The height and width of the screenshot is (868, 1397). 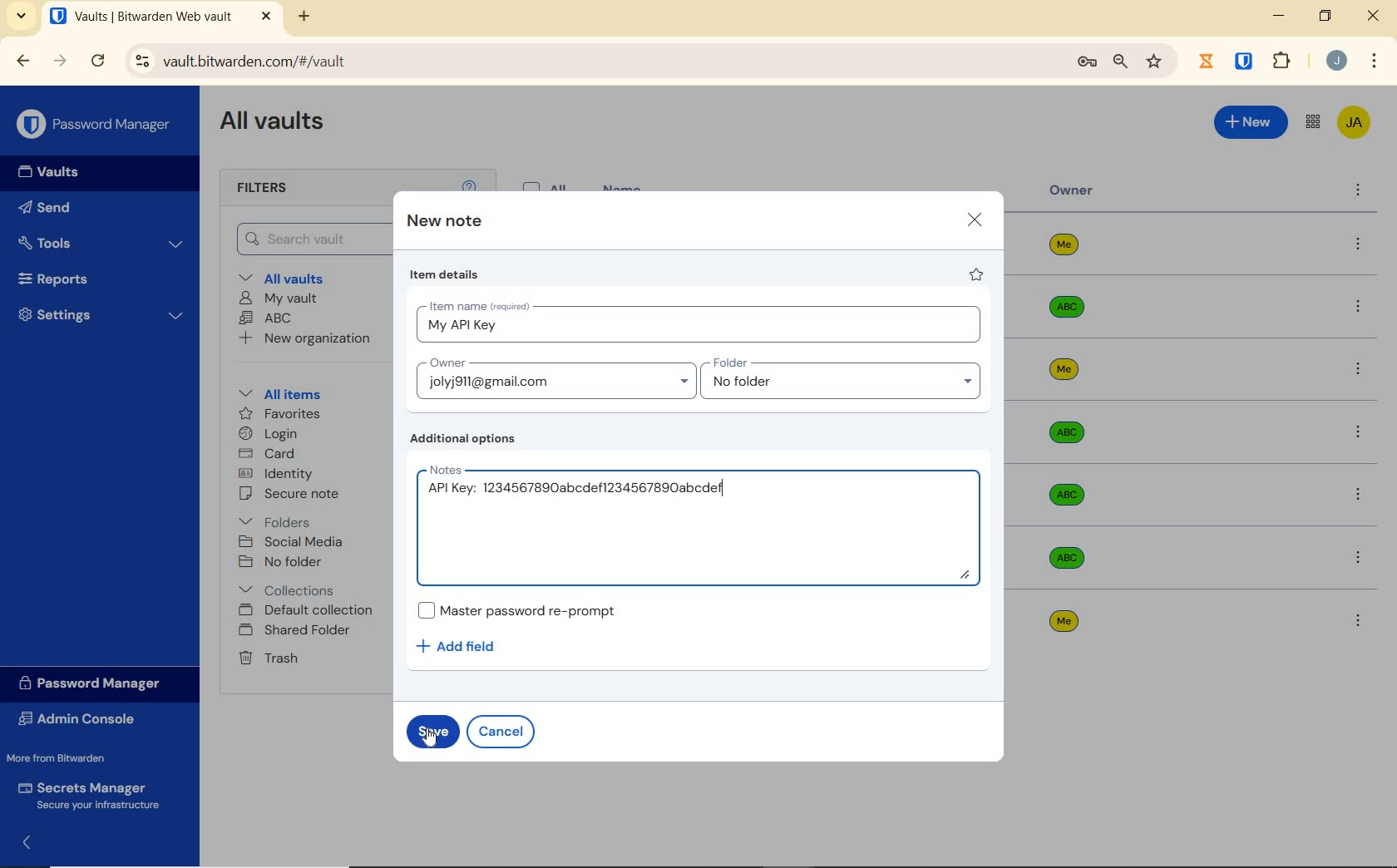 I want to click on New organization, so click(x=310, y=341).